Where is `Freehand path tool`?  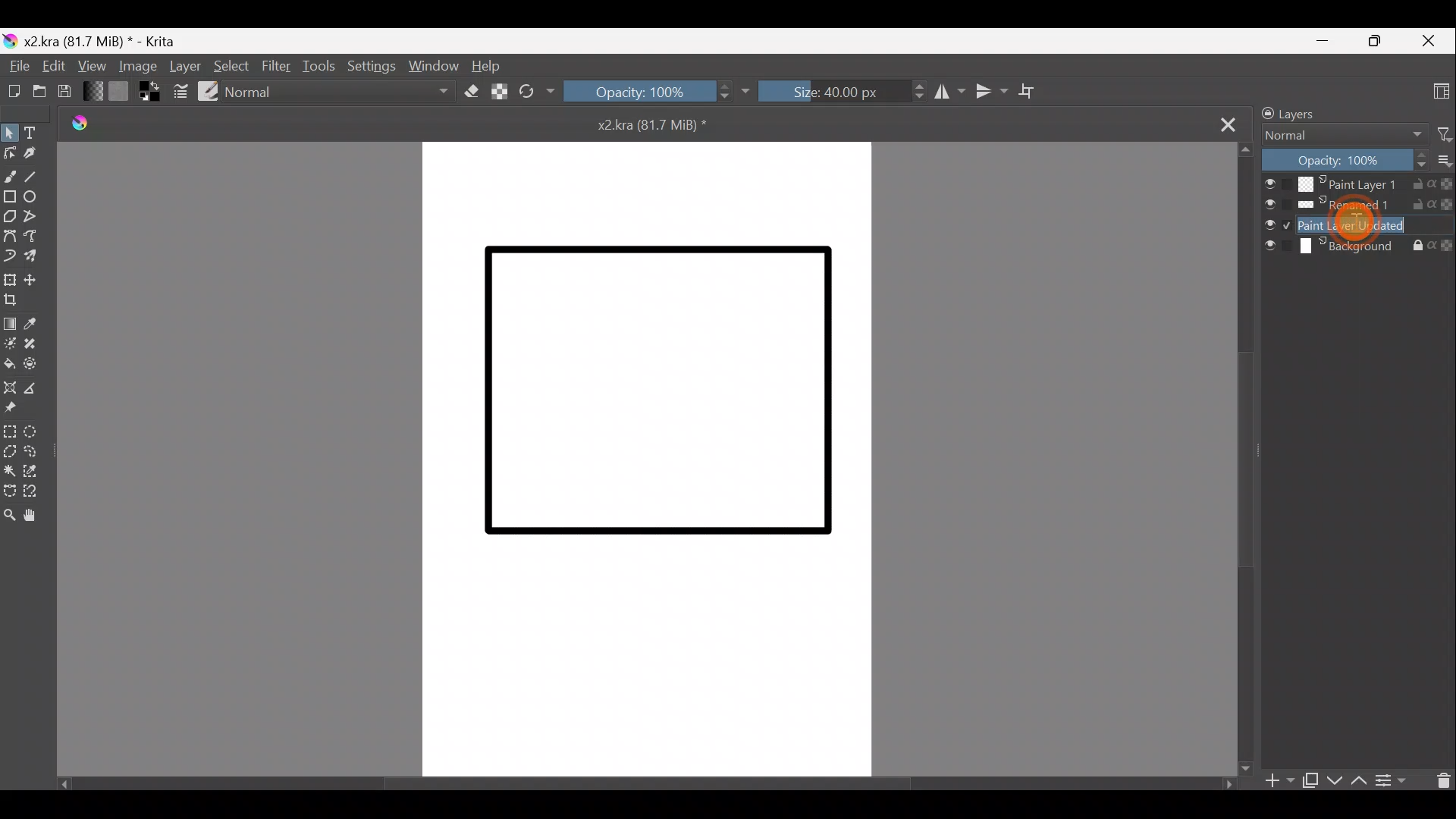 Freehand path tool is located at coordinates (37, 240).